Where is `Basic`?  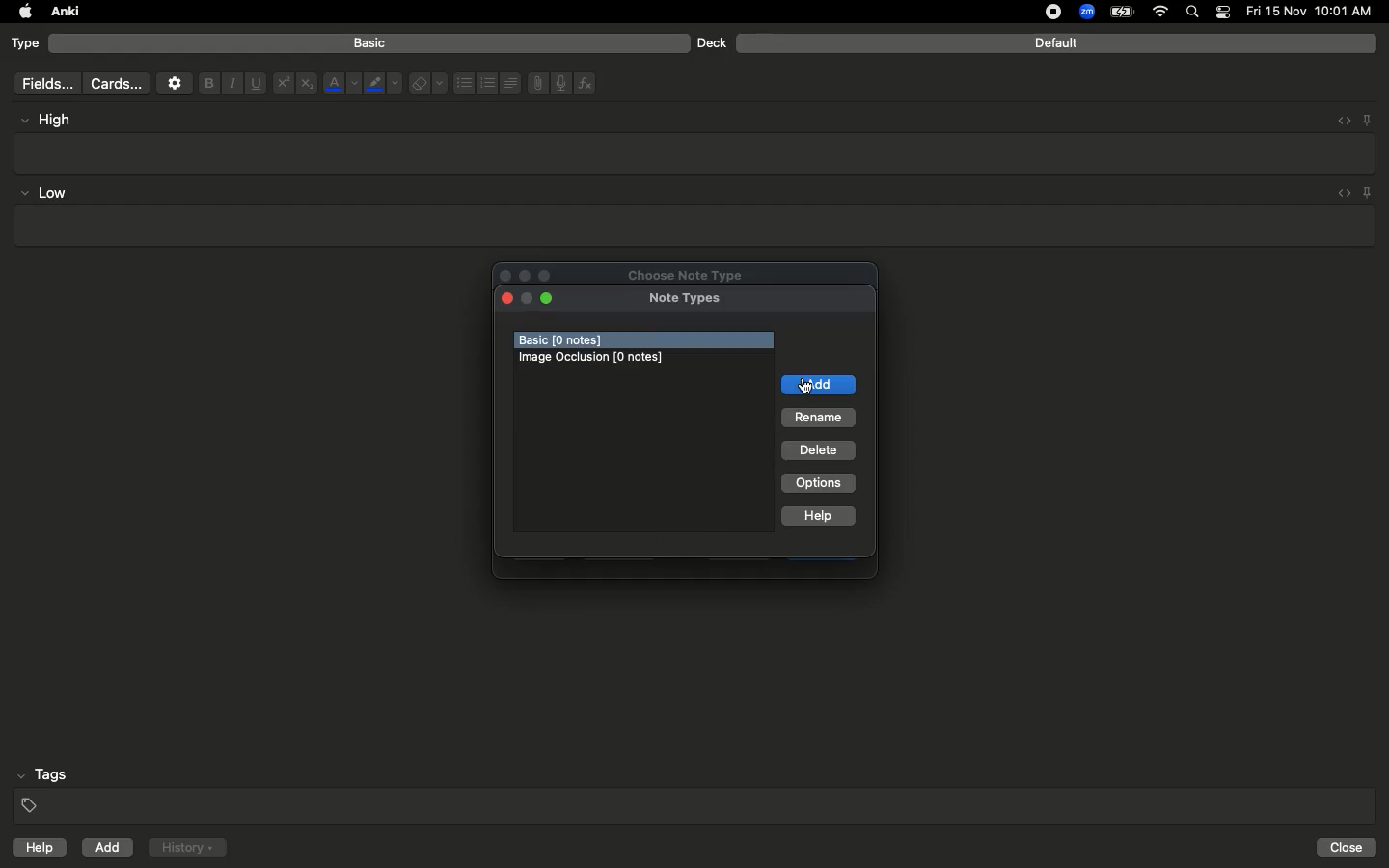
Basic is located at coordinates (370, 43).